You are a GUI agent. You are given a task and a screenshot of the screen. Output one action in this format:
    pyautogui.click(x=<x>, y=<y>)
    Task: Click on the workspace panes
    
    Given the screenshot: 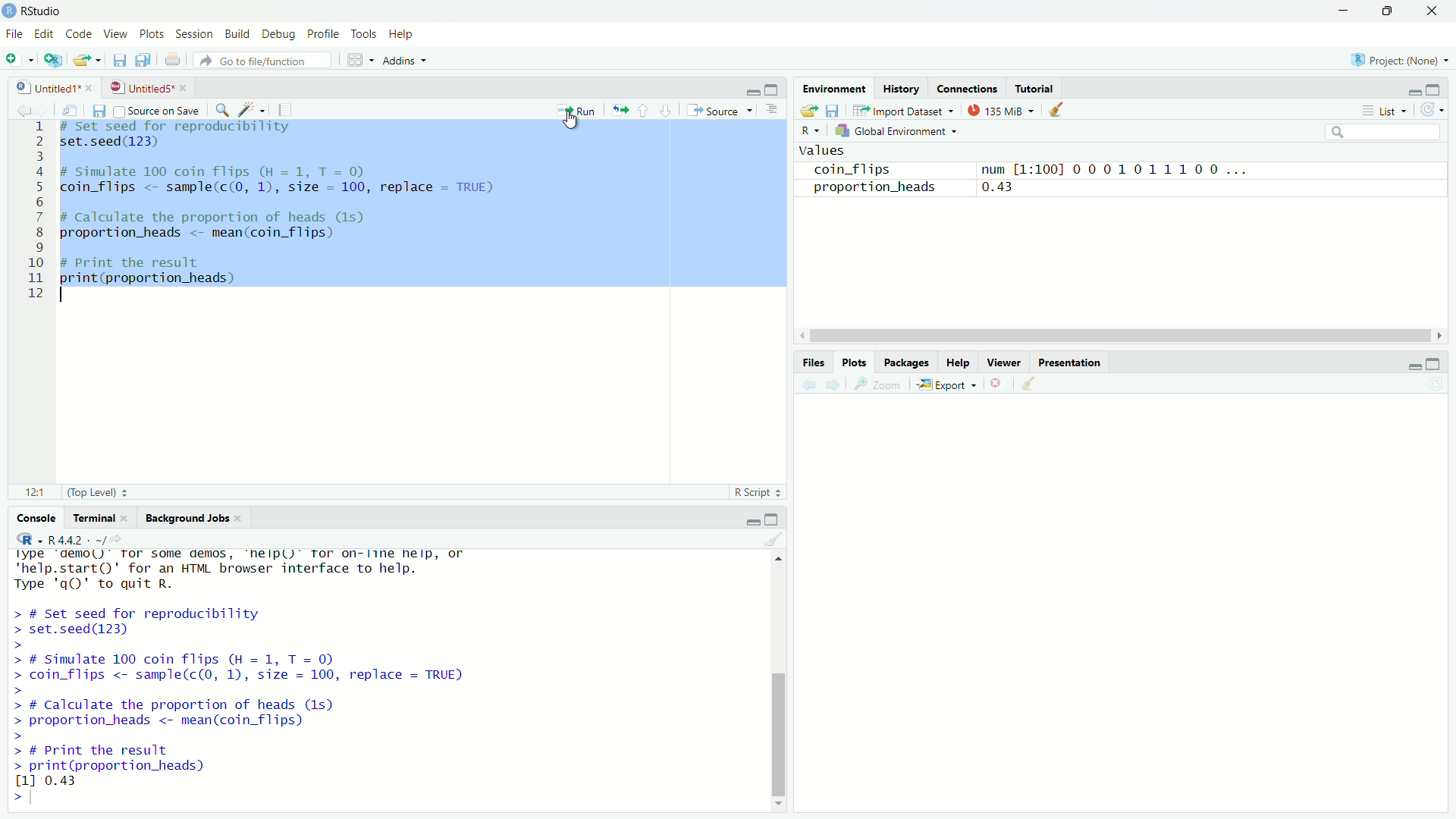 What is the action you would take?
    pyautogui.click(x=357, y=61)
    